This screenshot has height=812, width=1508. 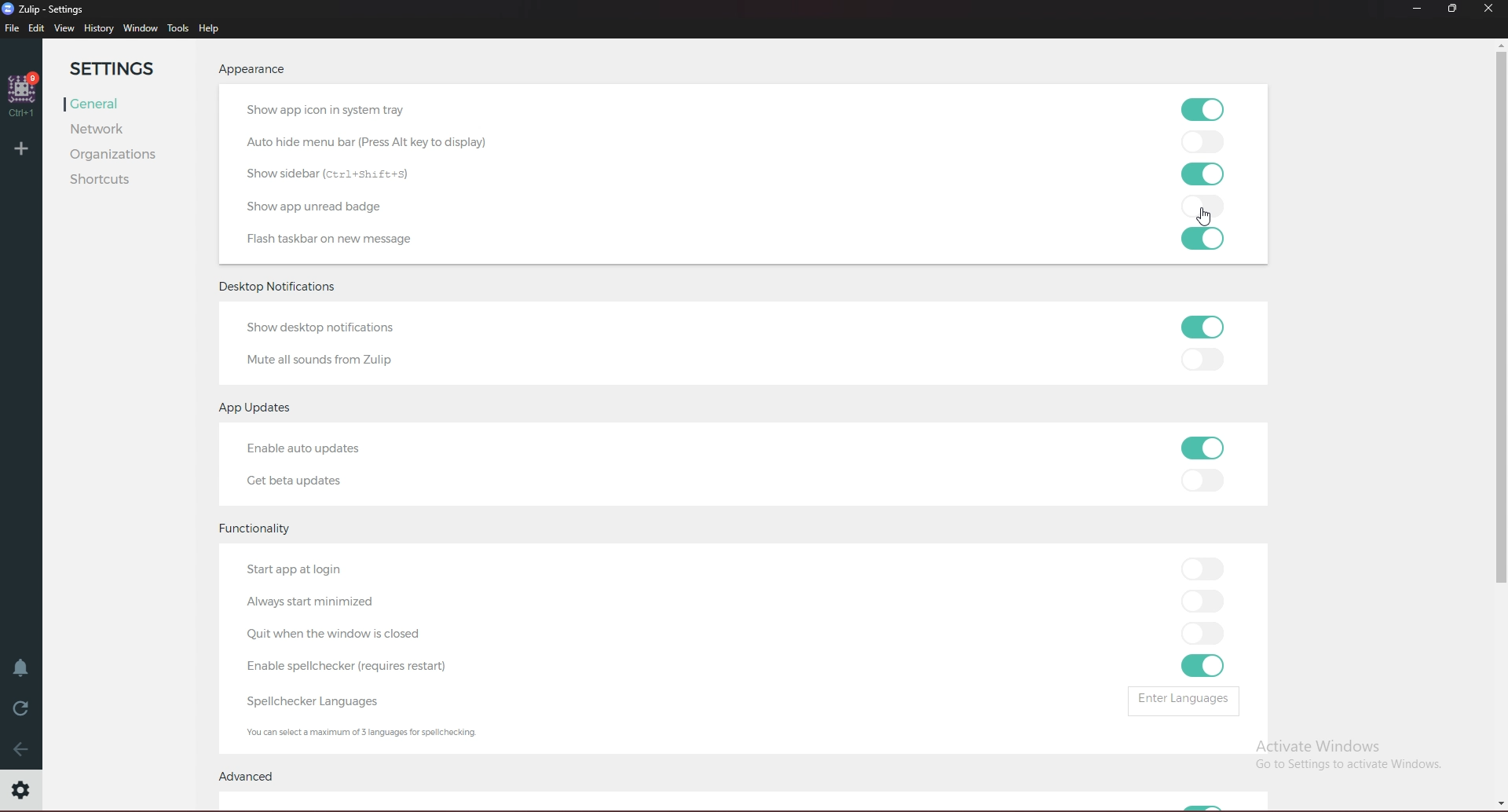 I want to click on spell checker languages, so click(x=326, y=702).